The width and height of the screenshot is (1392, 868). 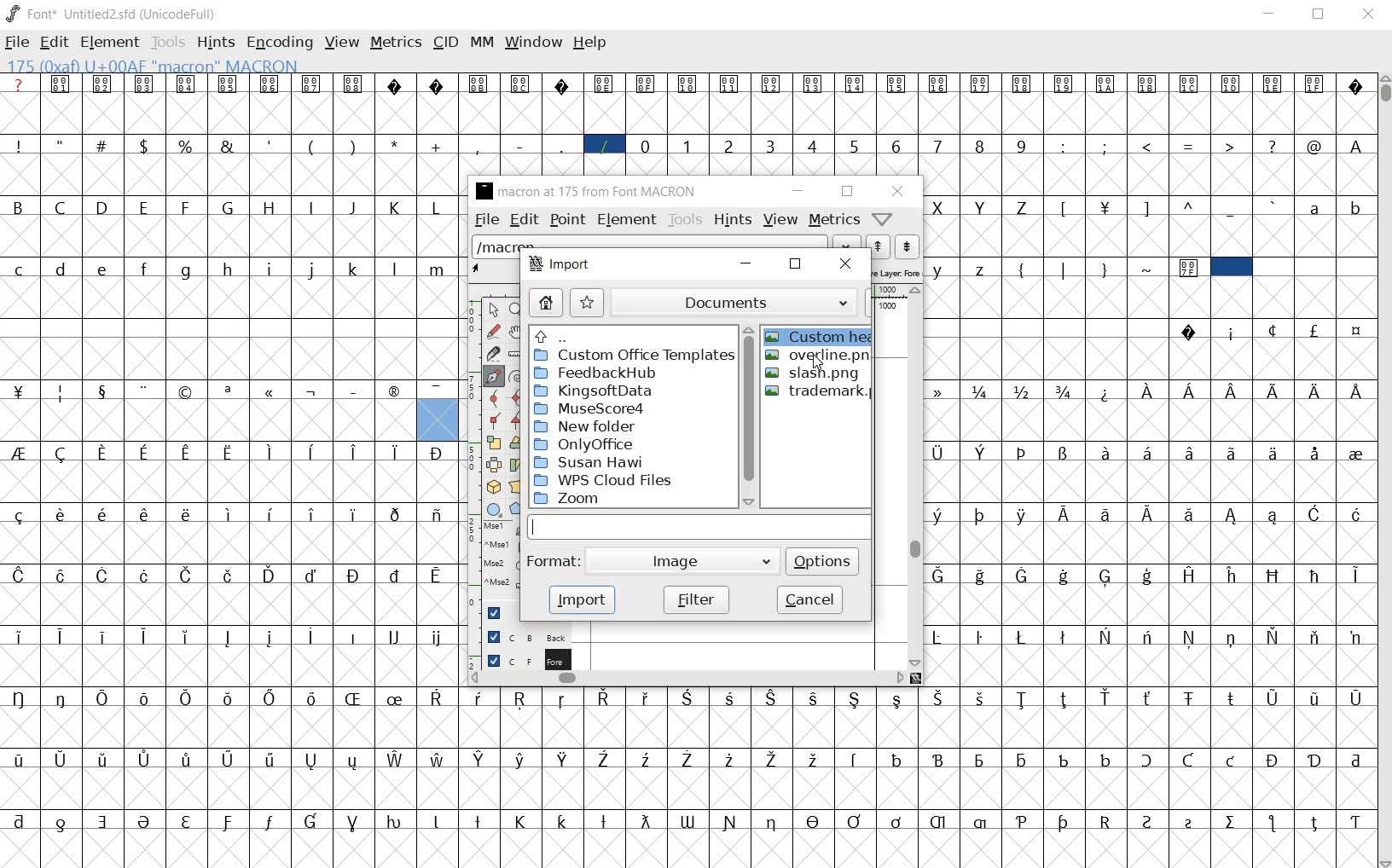 I want to click on Symbol, so click(x=937, y=637).